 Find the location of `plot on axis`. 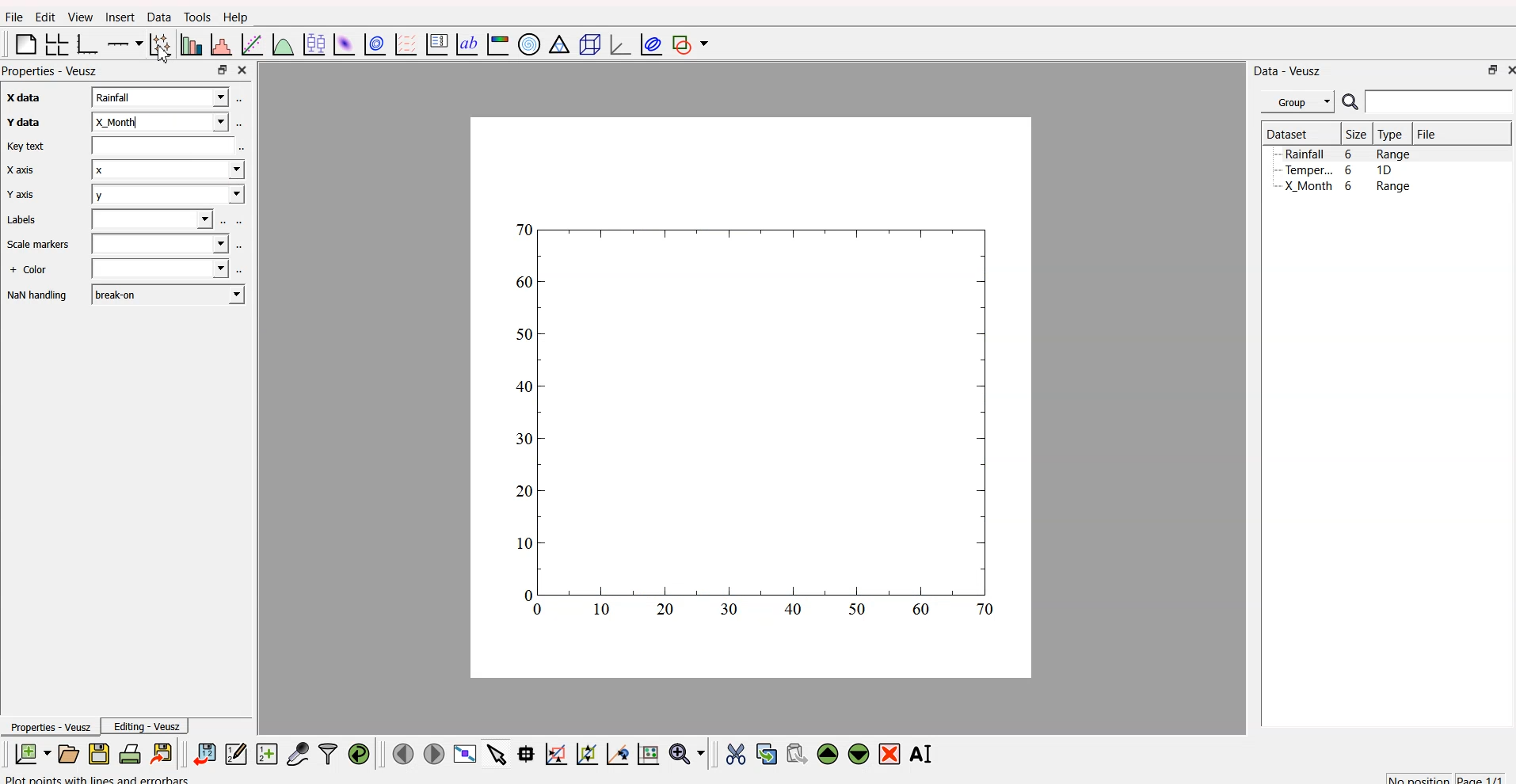

plot on axis is located at coordinates (126, 43).